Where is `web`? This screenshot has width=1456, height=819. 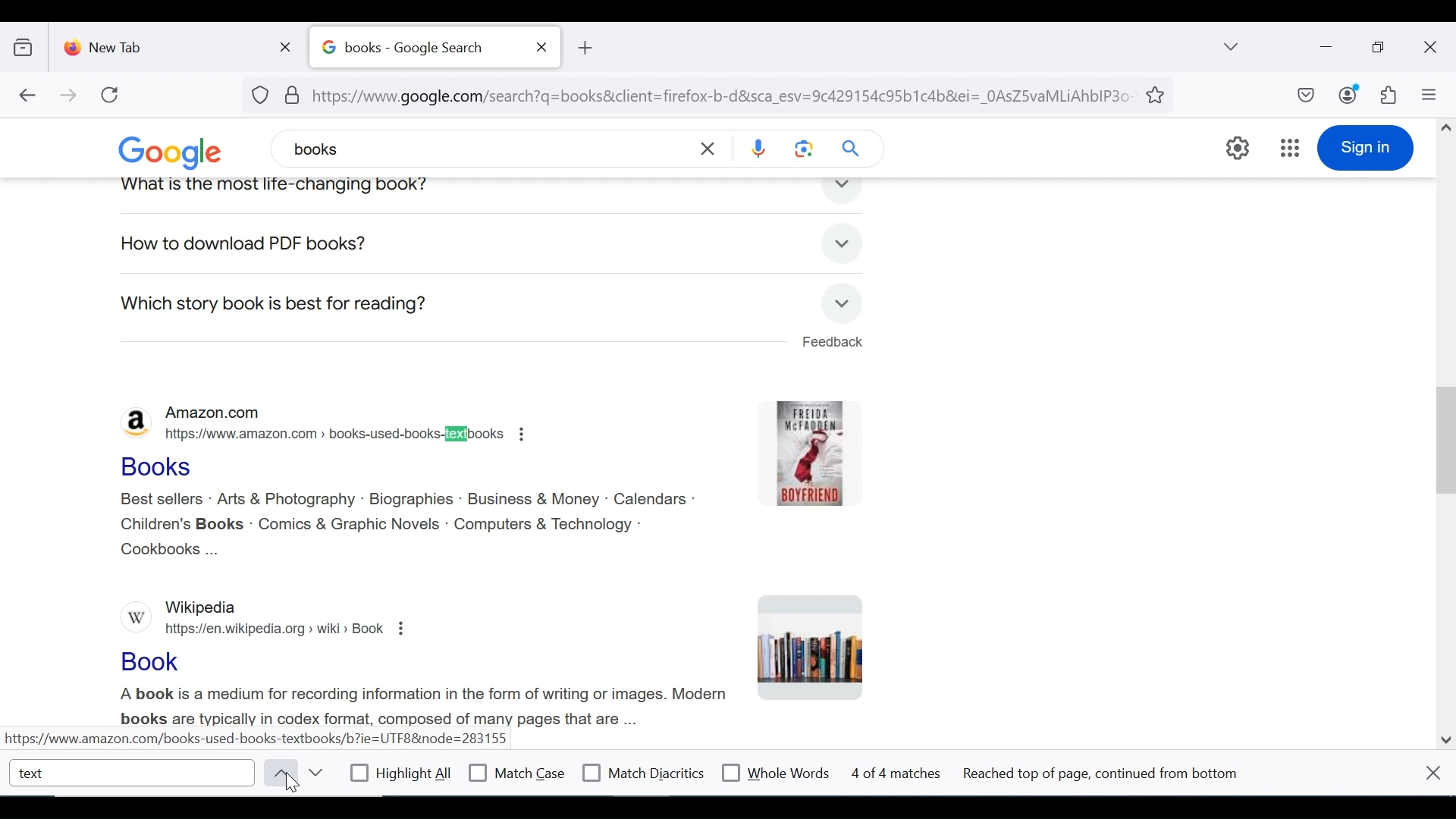 web is located at coordinates (466, 244).